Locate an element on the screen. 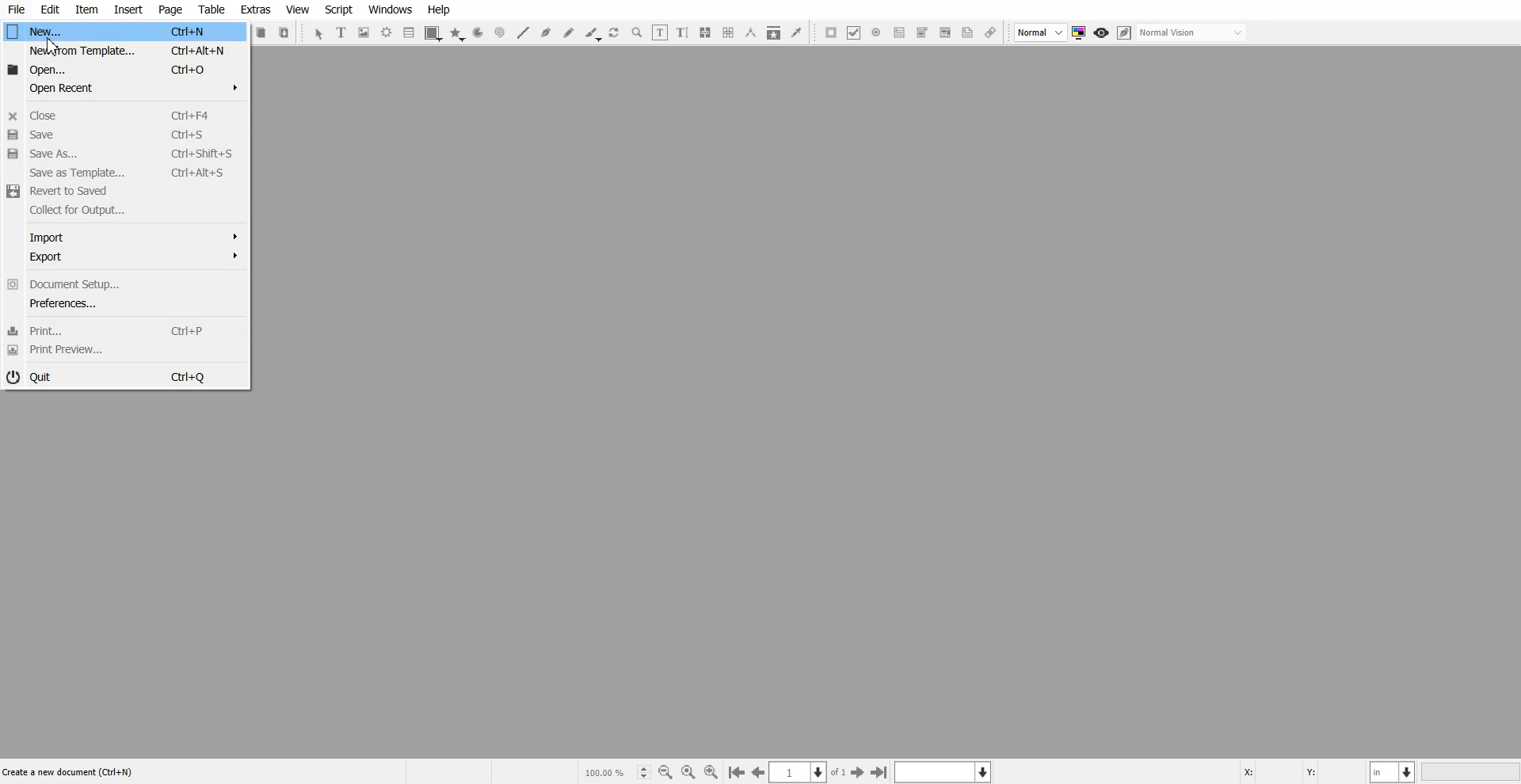 The image size is (1521, 784). Preview mode is located at coordinates (1102, 33).